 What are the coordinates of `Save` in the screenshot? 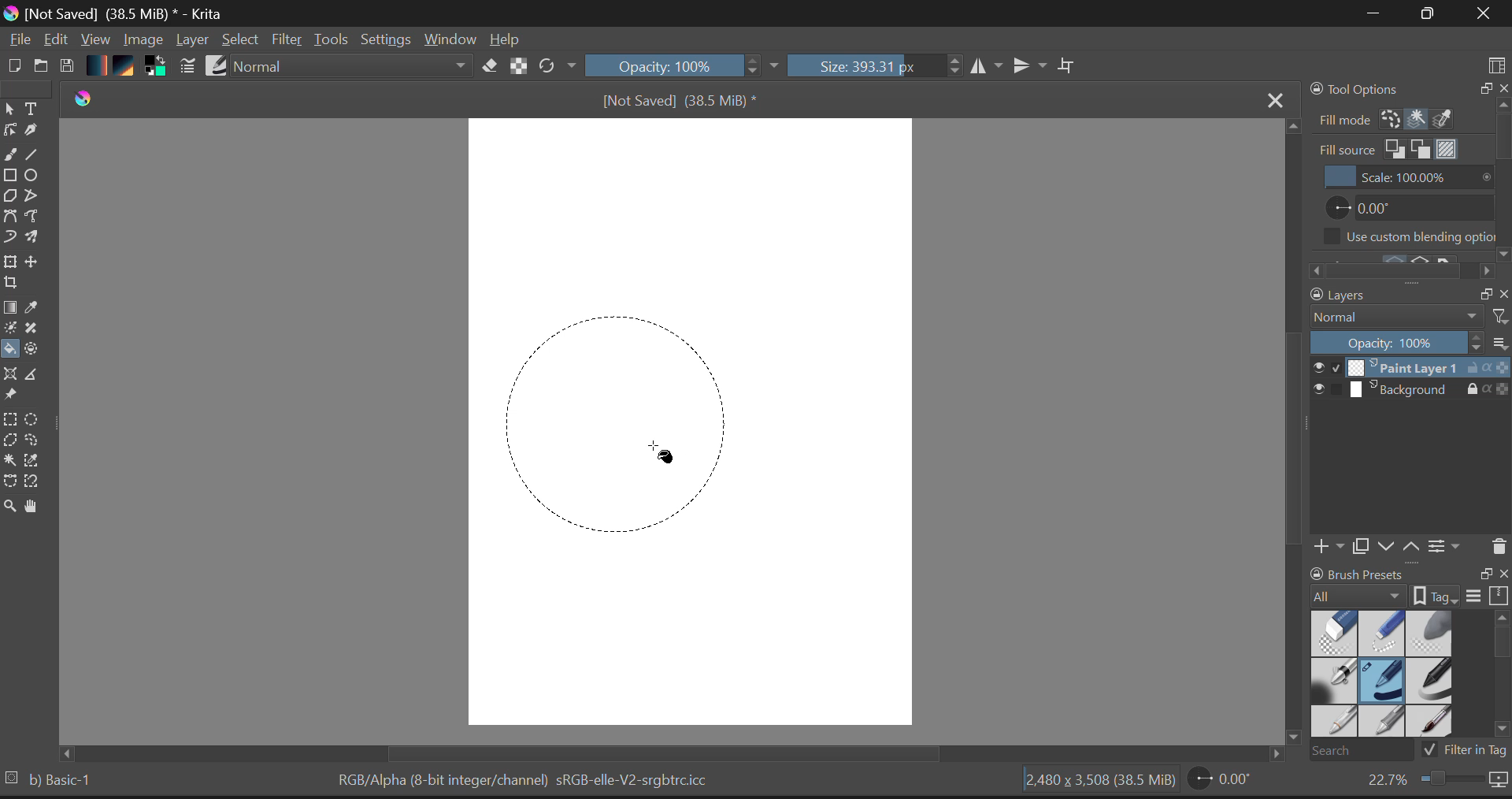 It's located at (69, 66).